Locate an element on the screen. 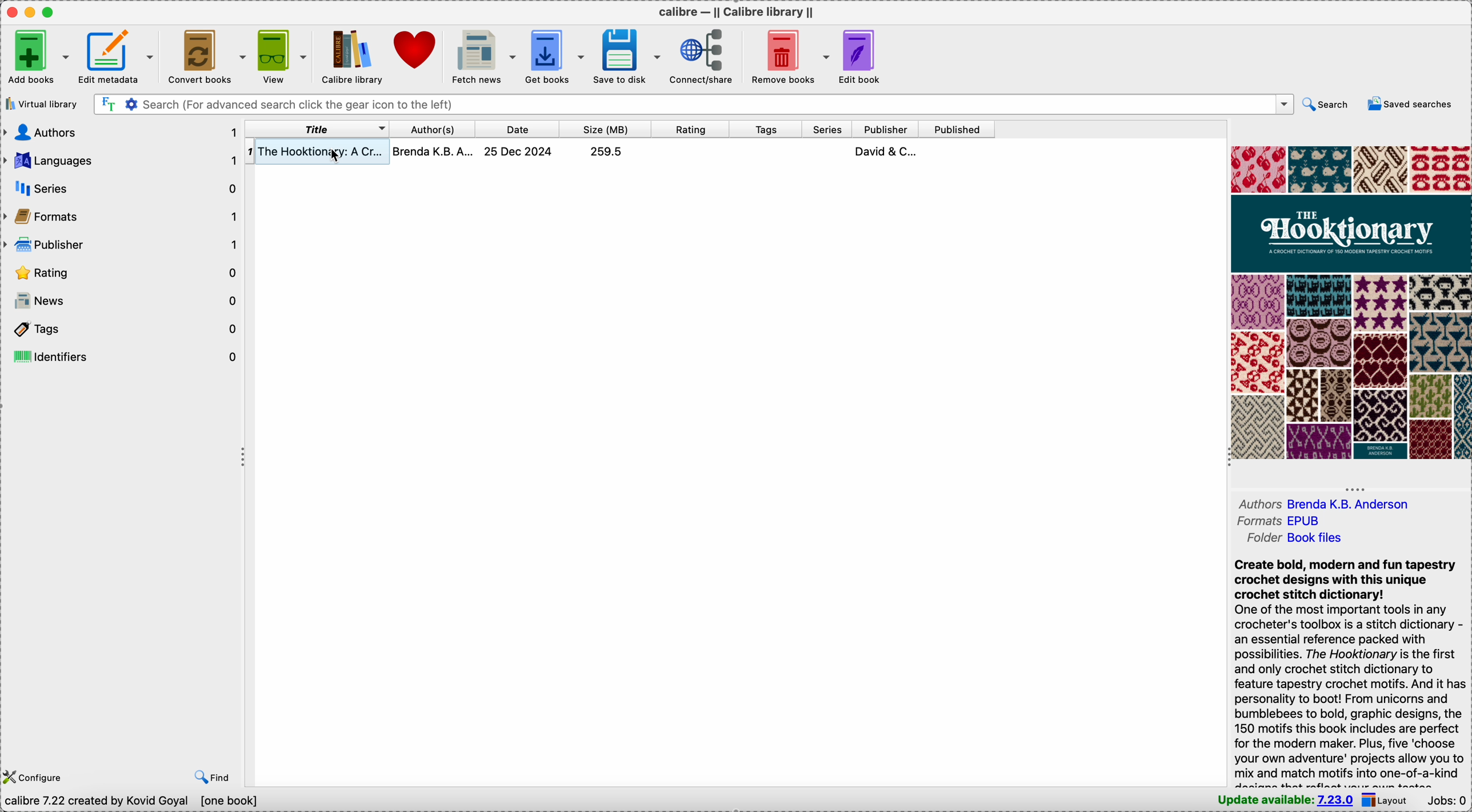  synopsis is located at coordinates (1351, 672).